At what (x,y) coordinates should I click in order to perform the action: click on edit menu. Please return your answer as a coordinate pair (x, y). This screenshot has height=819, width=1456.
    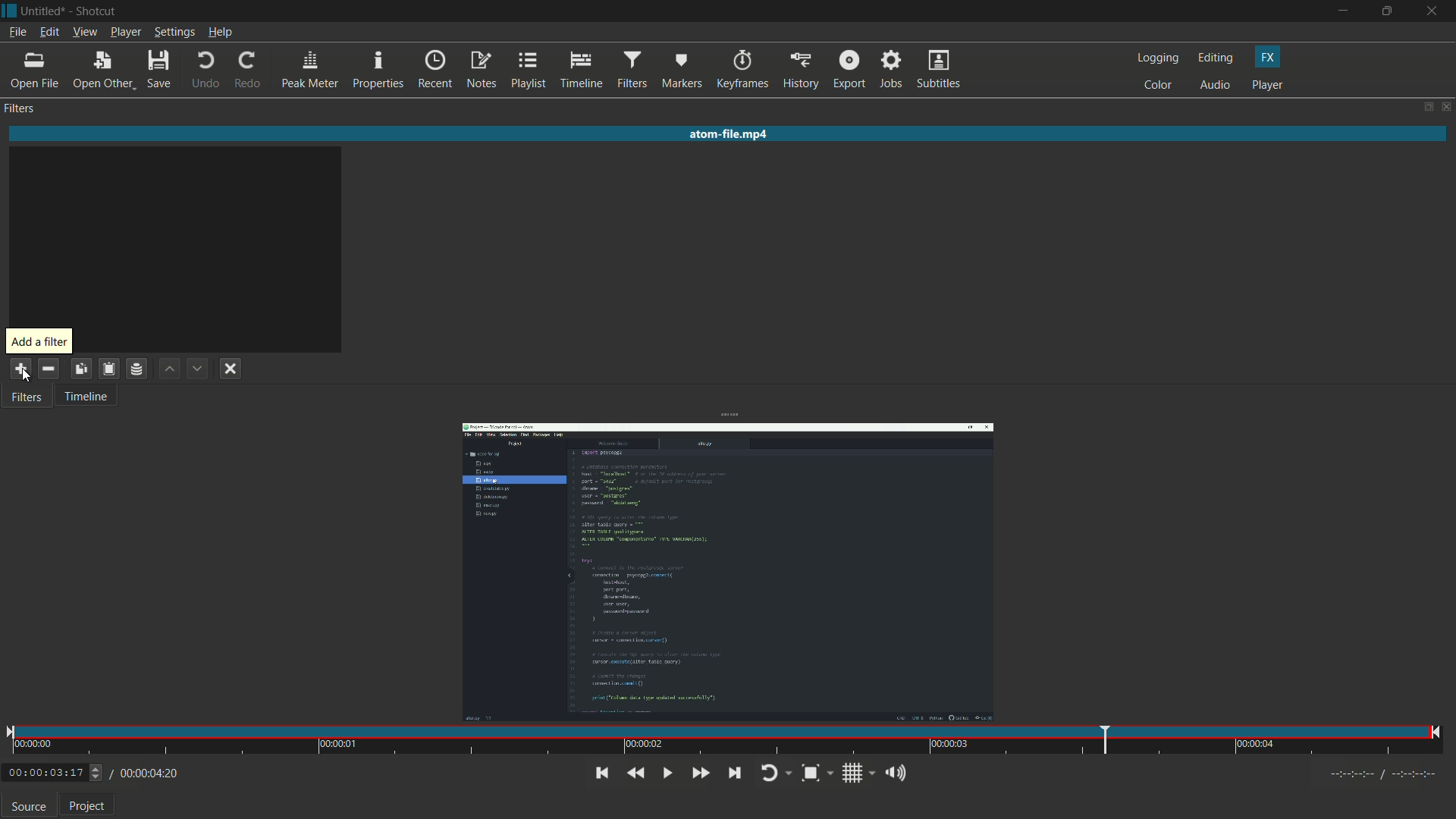
    Looking at the image, I should click on (49, 31).